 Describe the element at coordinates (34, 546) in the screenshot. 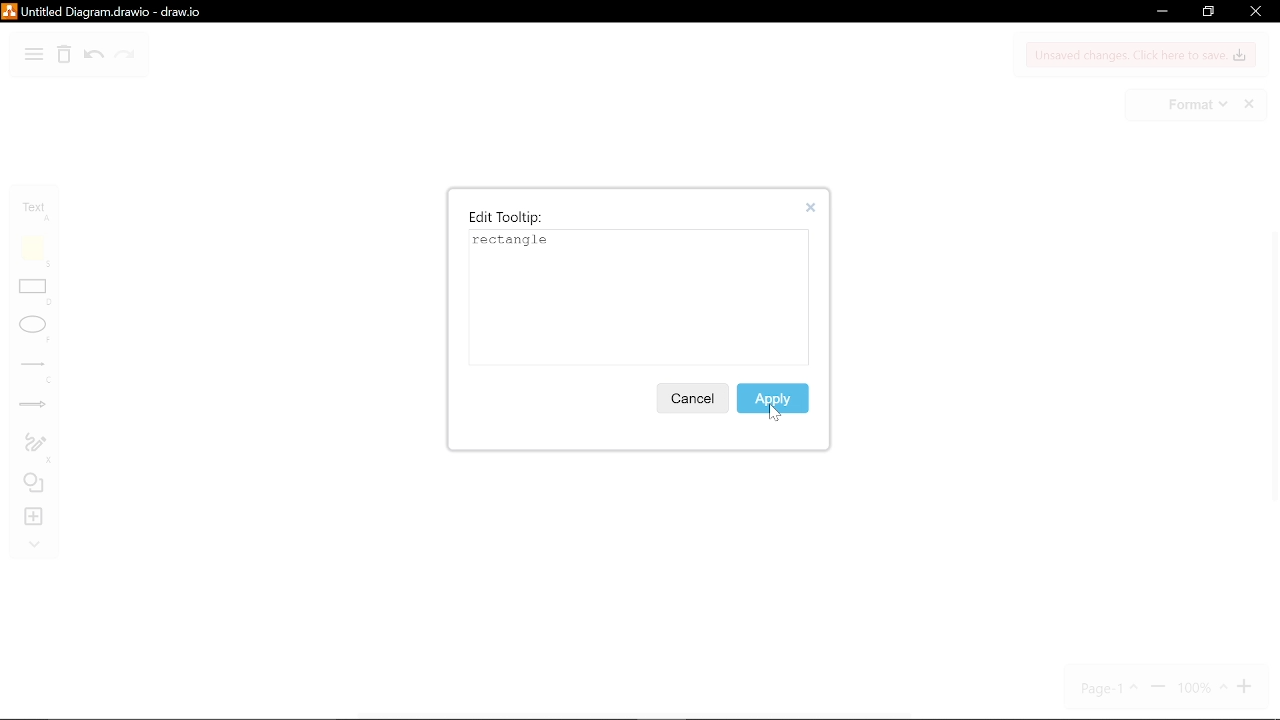

I see `collapse` at that location.